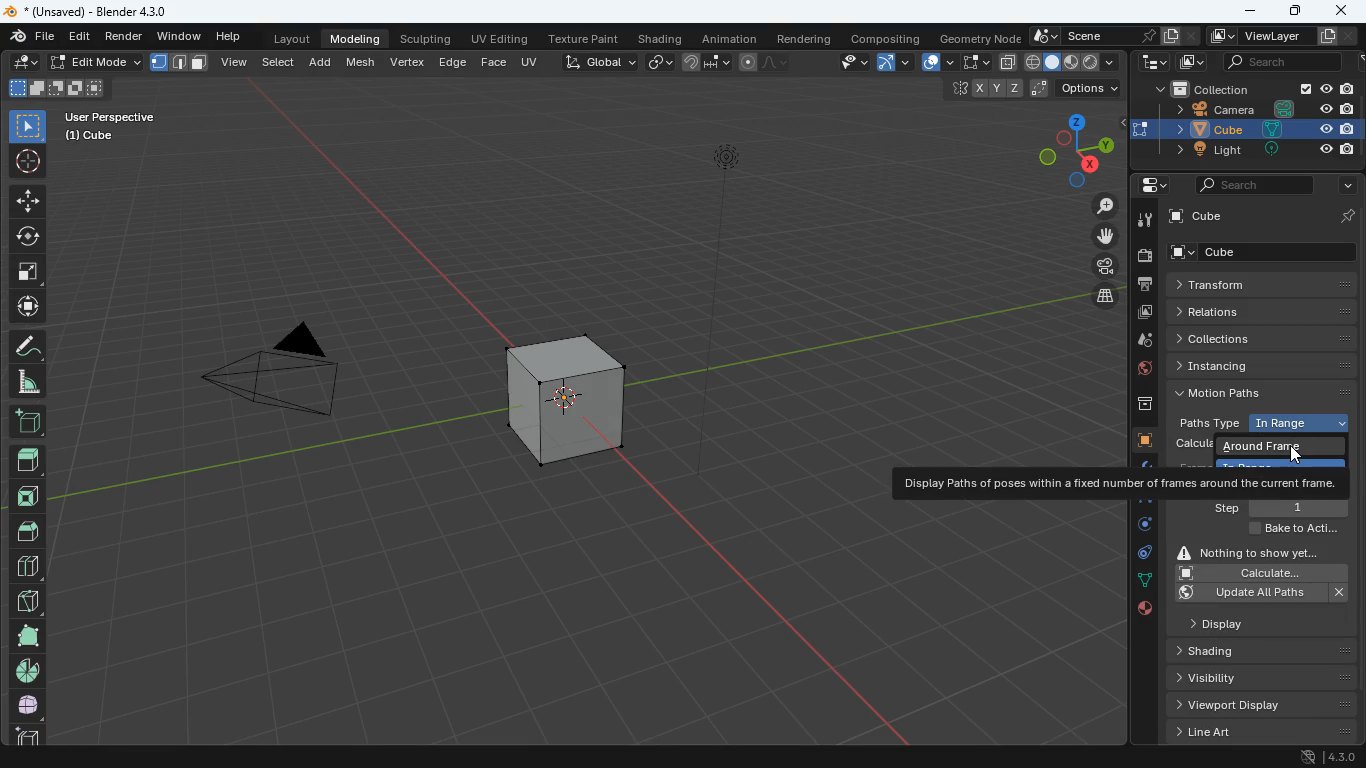 The image size is (1366, 768). Describe the element at coordinates (127, 38) in the screenshot. I see `render` at that location.